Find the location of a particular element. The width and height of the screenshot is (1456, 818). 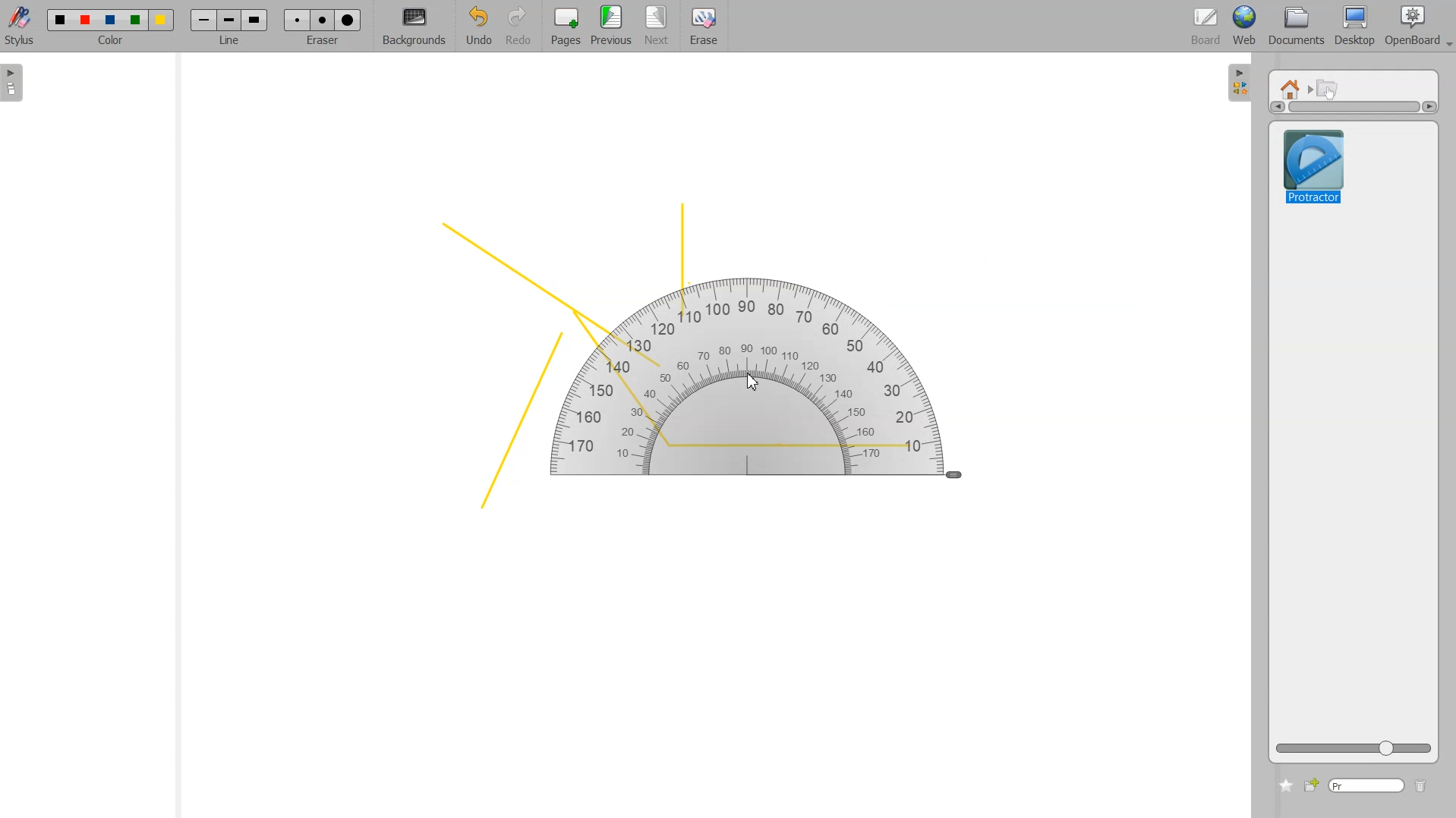

Web is located at coordinates (1245, 27).